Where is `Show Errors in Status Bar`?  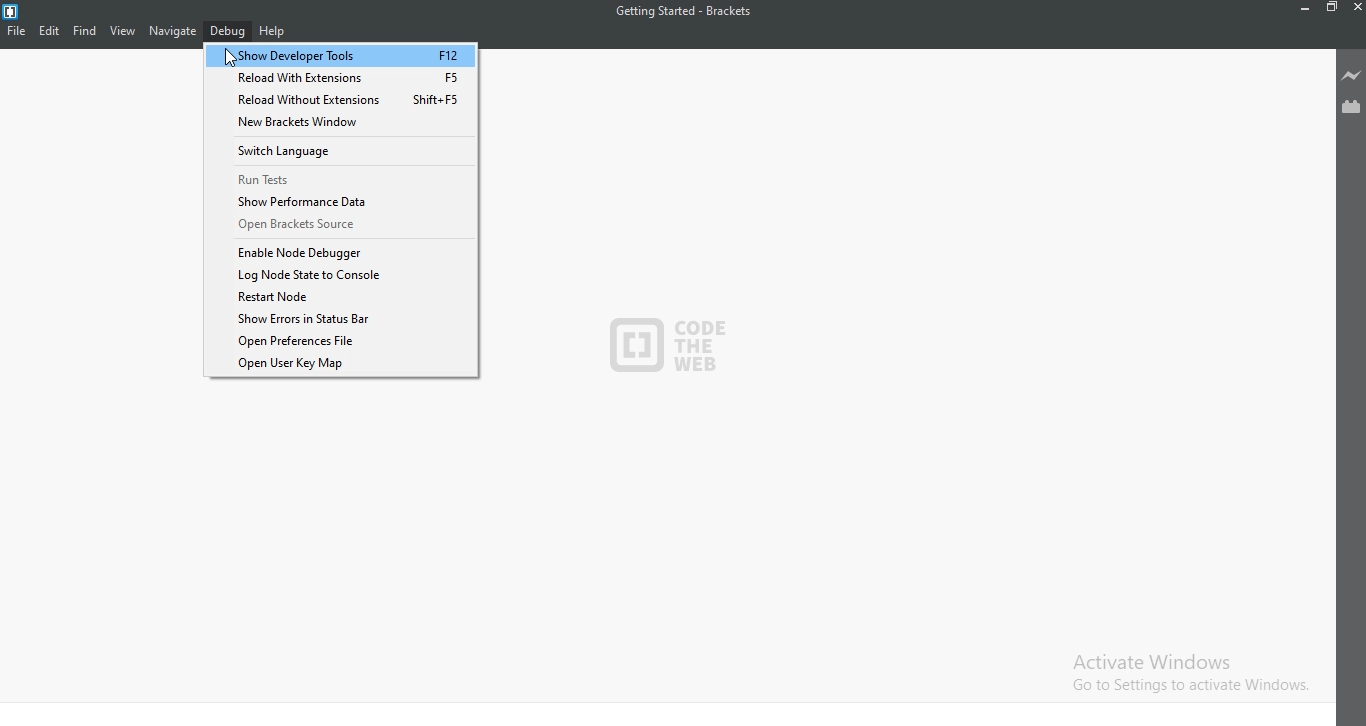 Show Errors in Status Bar is located at coordinates (342, 319).